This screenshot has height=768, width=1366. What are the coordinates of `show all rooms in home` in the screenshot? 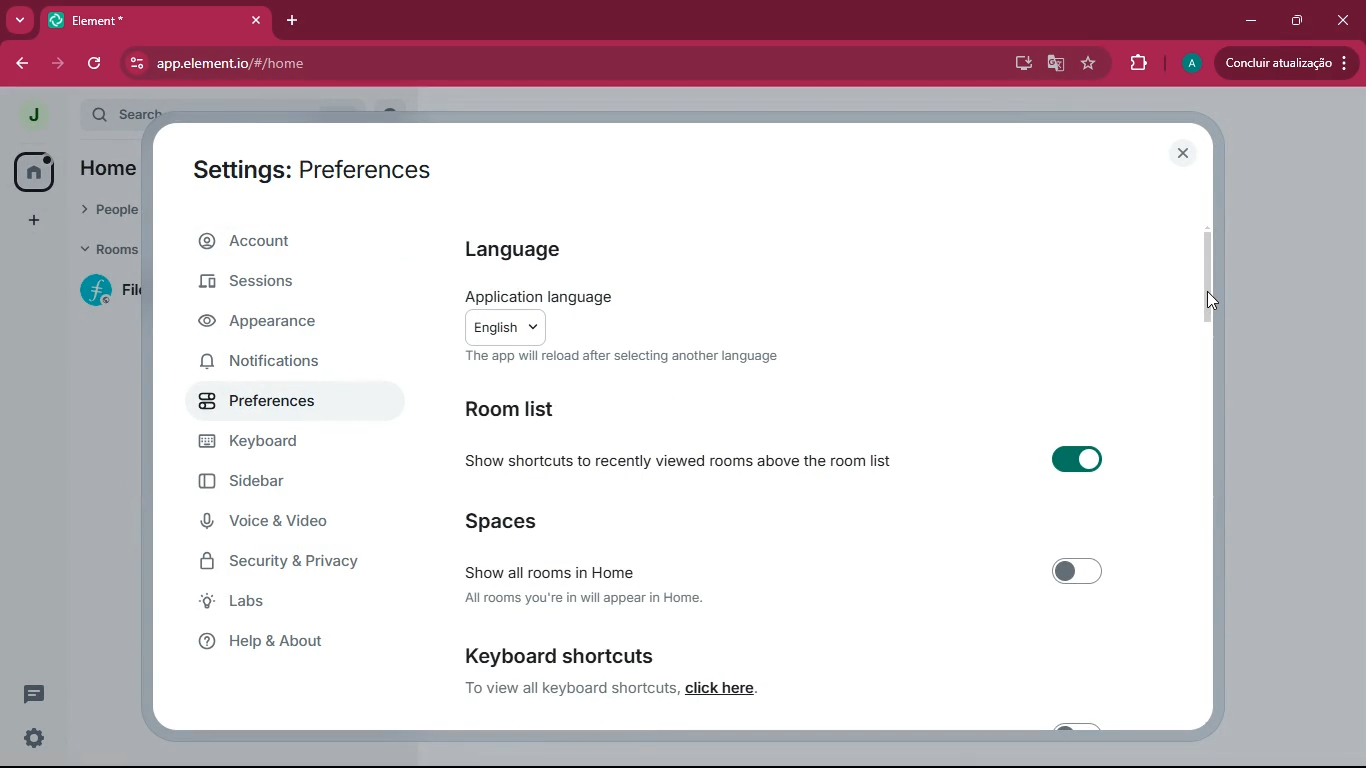 It's located at (549, 573).